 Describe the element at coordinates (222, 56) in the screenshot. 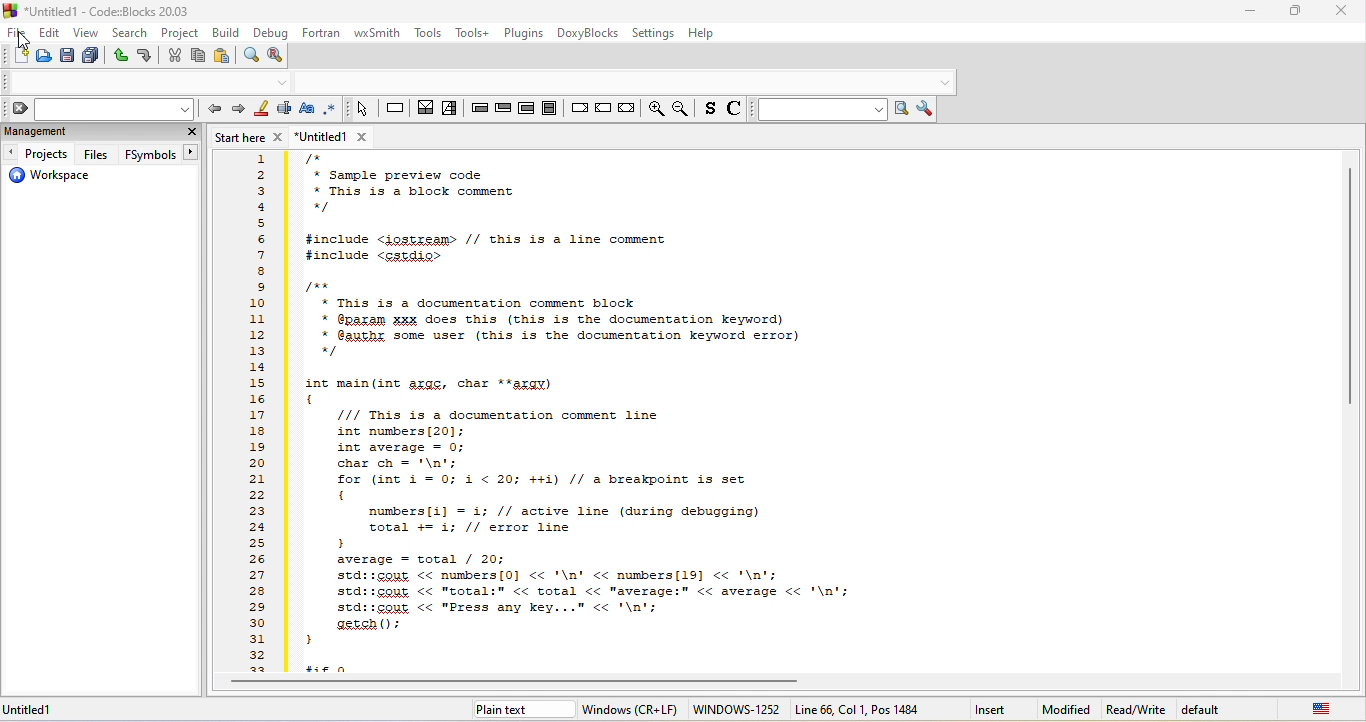

I see `paste` at that location.